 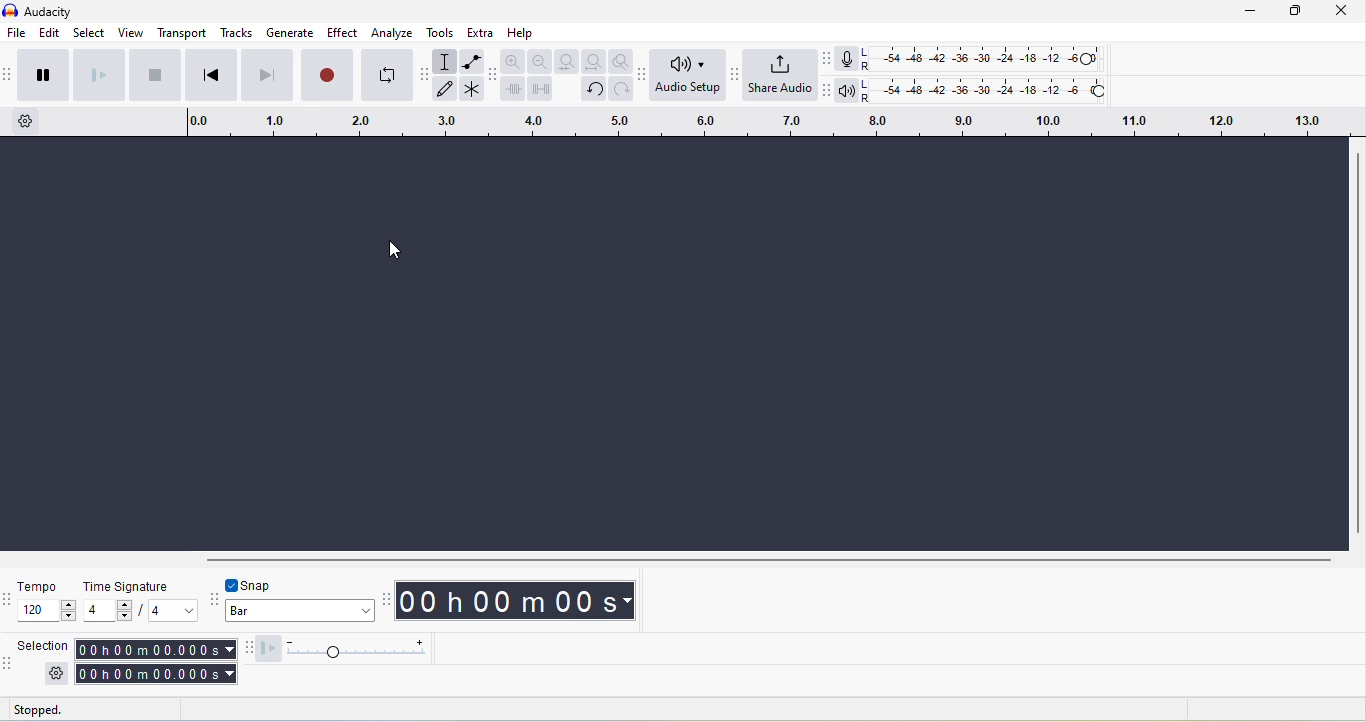 I want to click on minimize, so click(x=1252, y=13).